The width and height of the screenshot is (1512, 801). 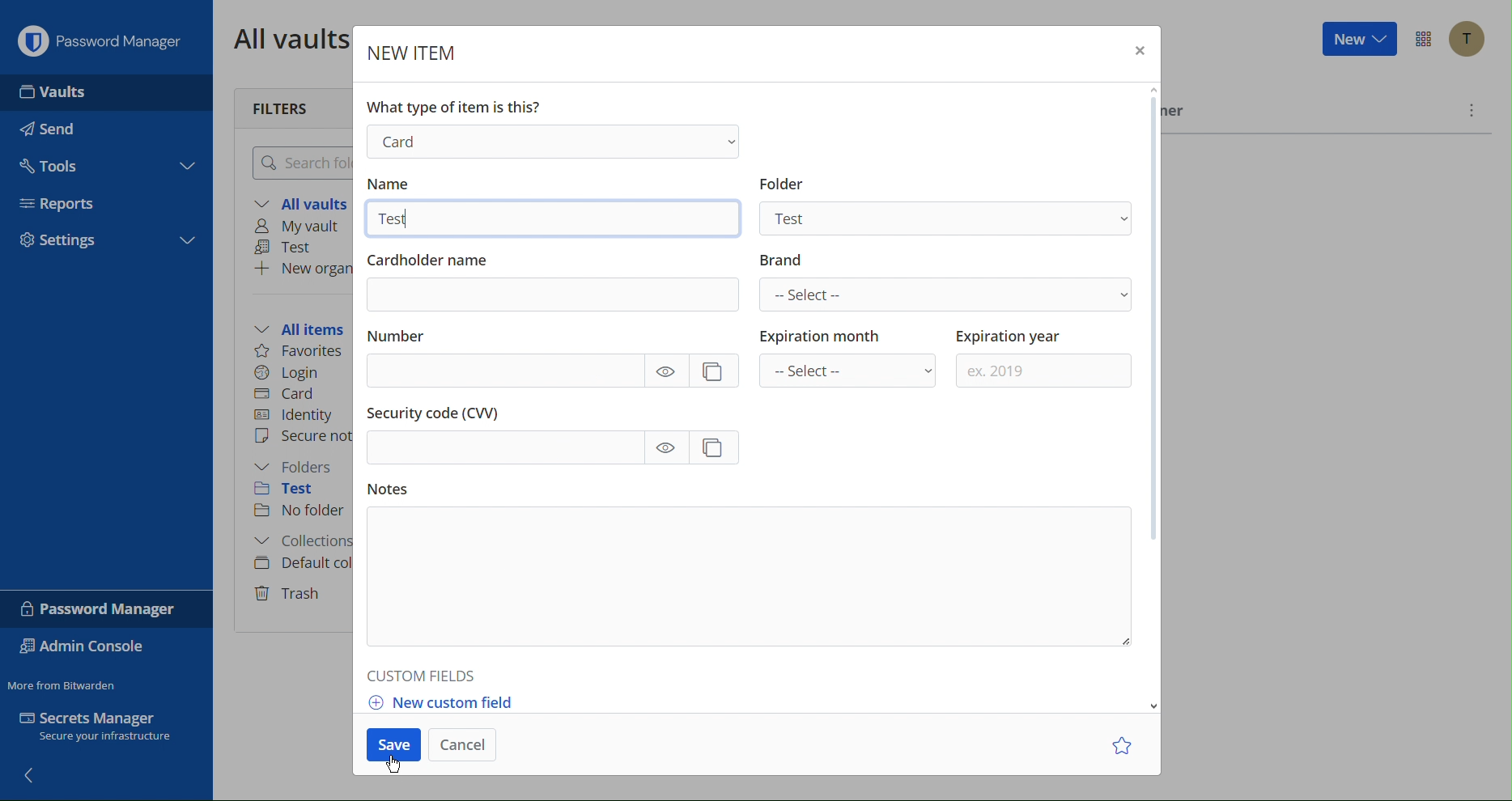 What do you see at coordinates (303, 563) in the screenshot?
I see `Default collection` at bounding box center [303, 563].